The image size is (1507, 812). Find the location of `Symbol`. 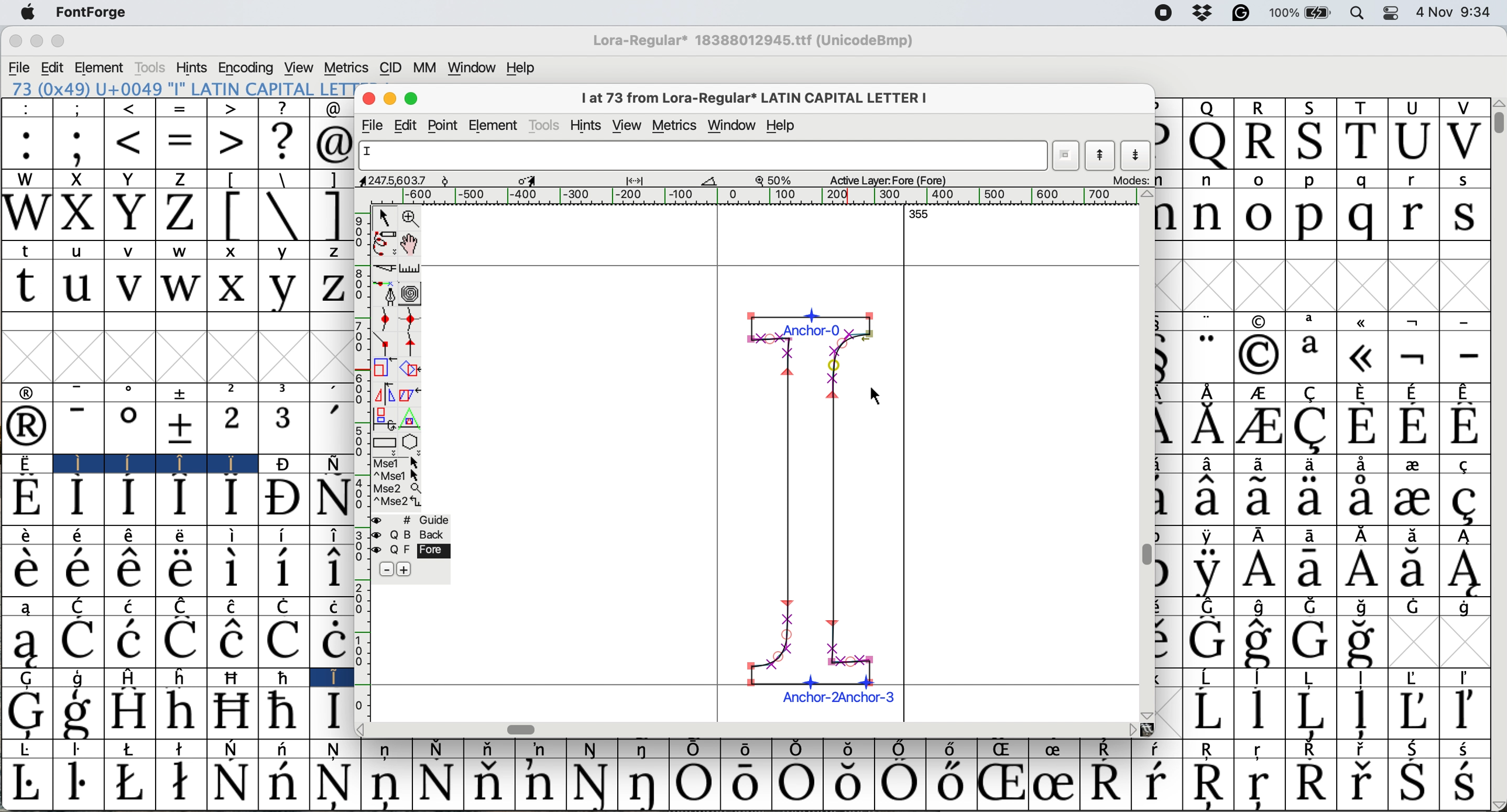

Symbol is located at coordinates (1312, 499).